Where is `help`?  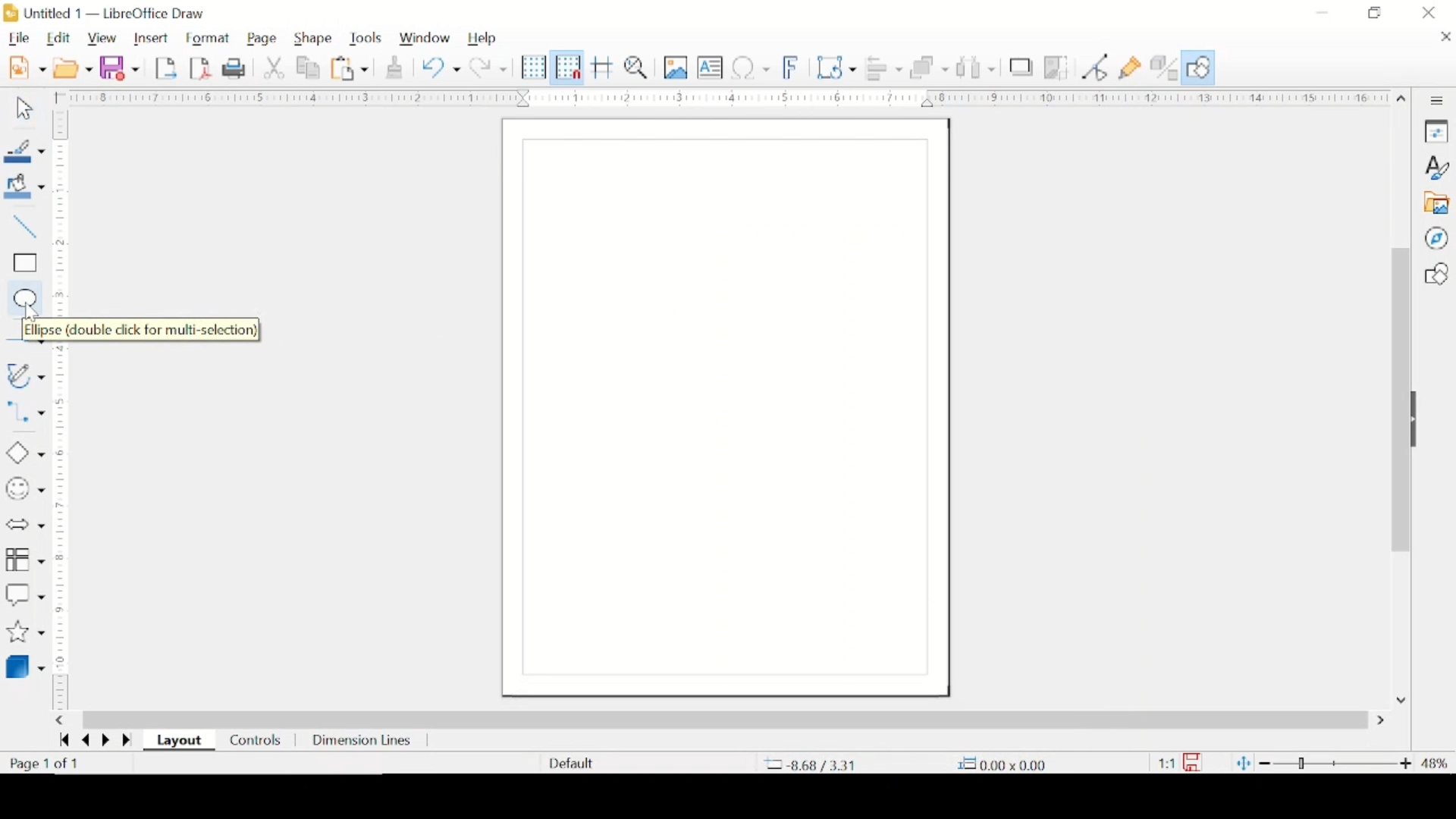
help is located at coordinates (483, 39).